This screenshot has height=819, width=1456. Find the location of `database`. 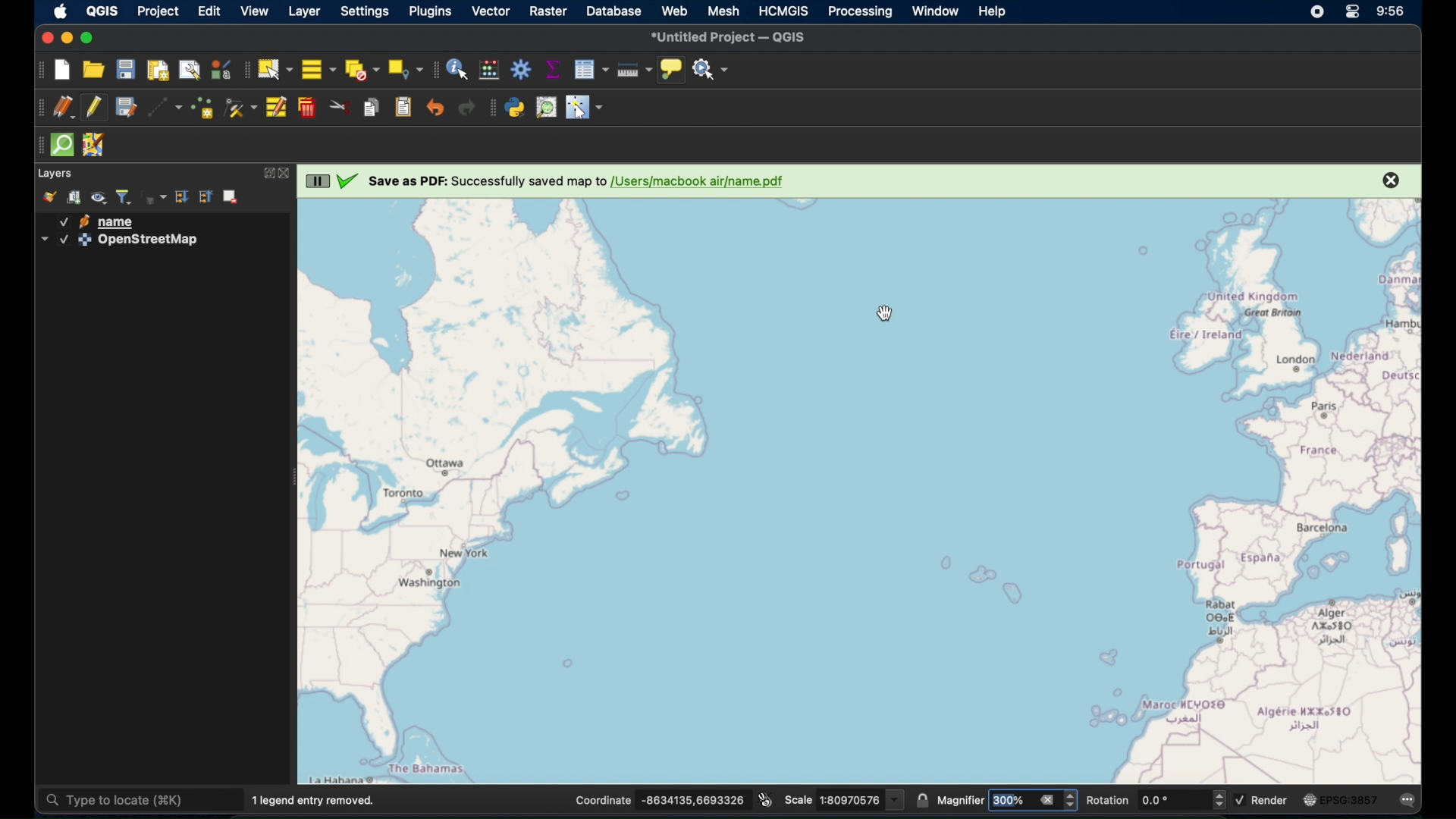

database is located at coordinates (613, 11).